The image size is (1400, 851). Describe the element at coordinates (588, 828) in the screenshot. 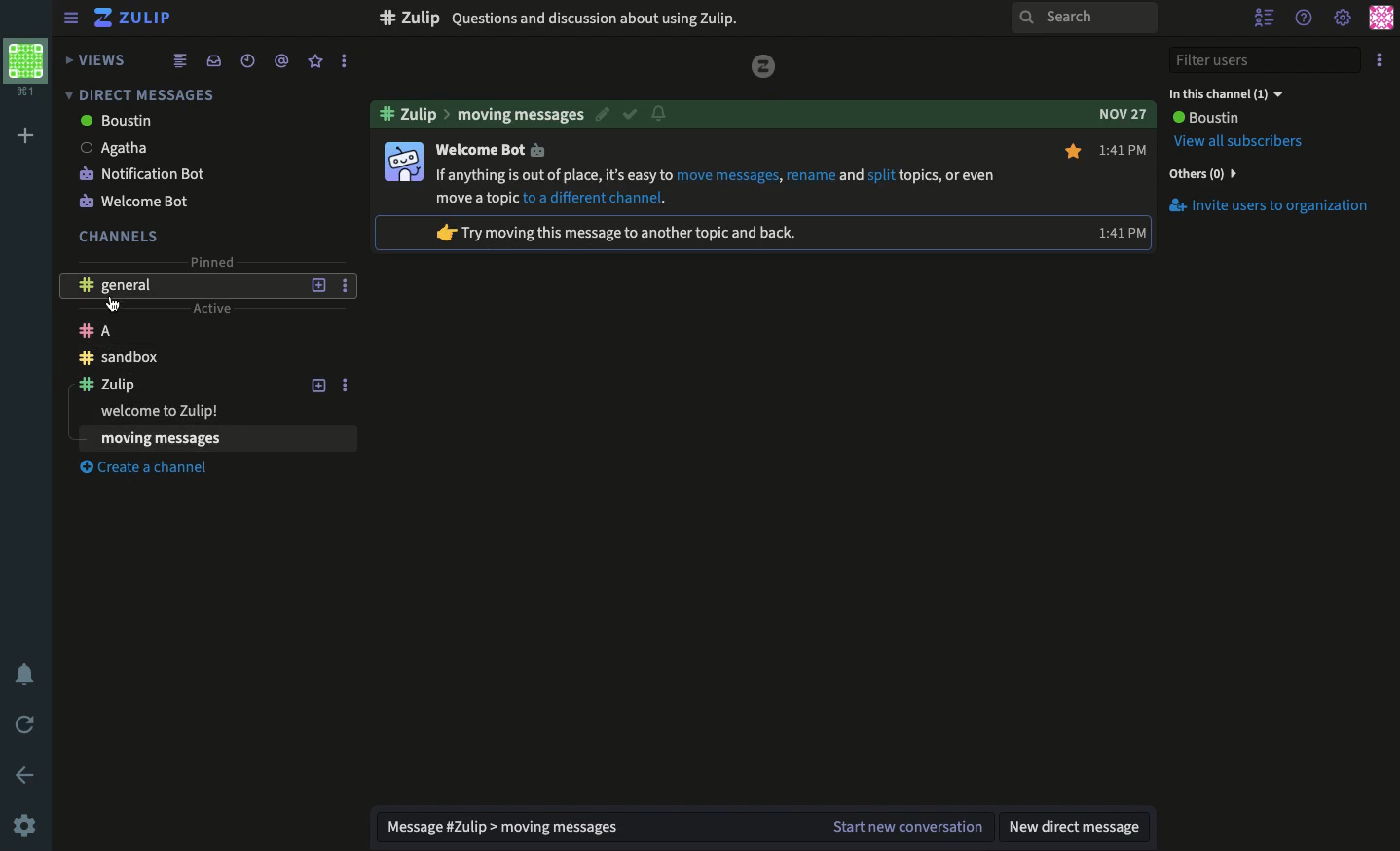

I see `Message` at that location.